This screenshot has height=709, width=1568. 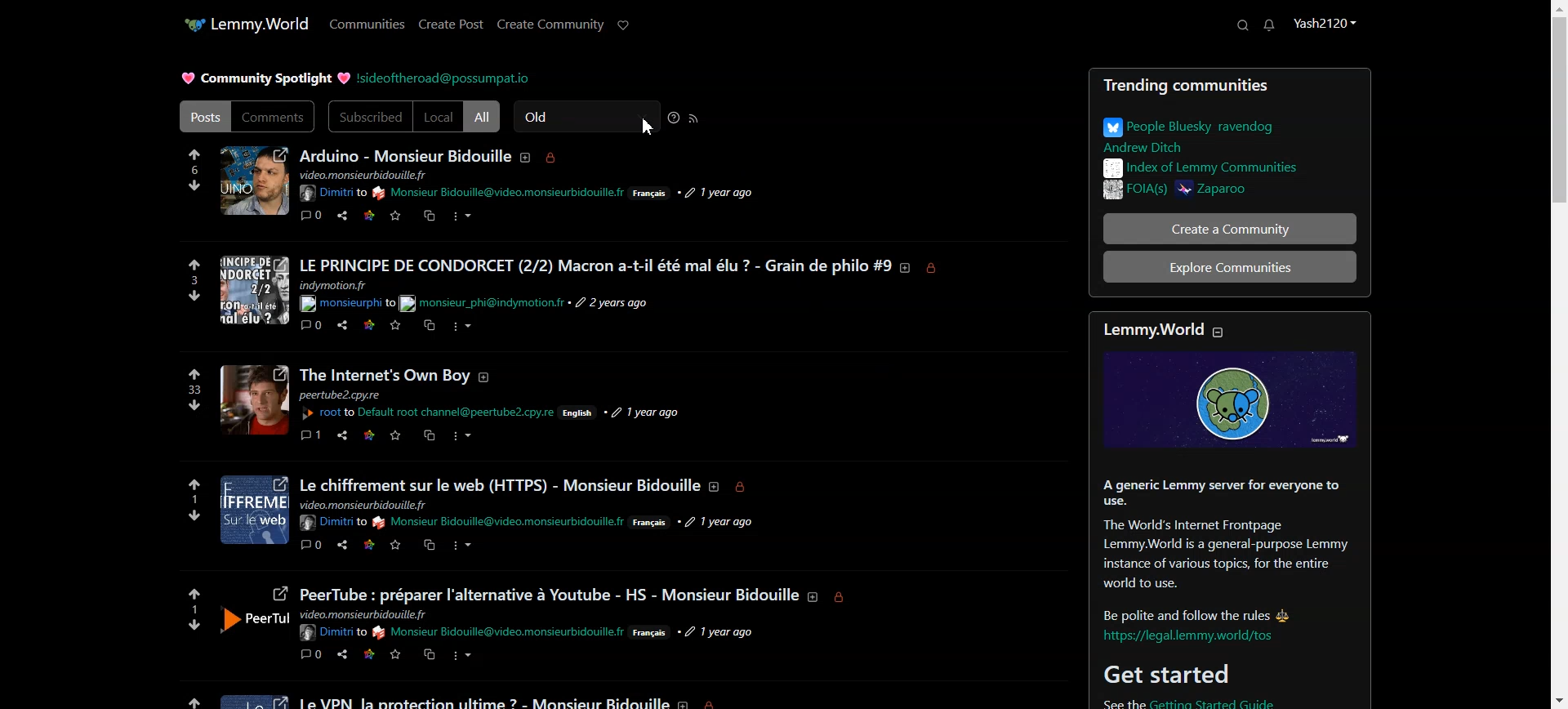 What do you see at coordinates (188, 625) in the screenshot?
I see `downvotes` at bounding box center [188, 625].